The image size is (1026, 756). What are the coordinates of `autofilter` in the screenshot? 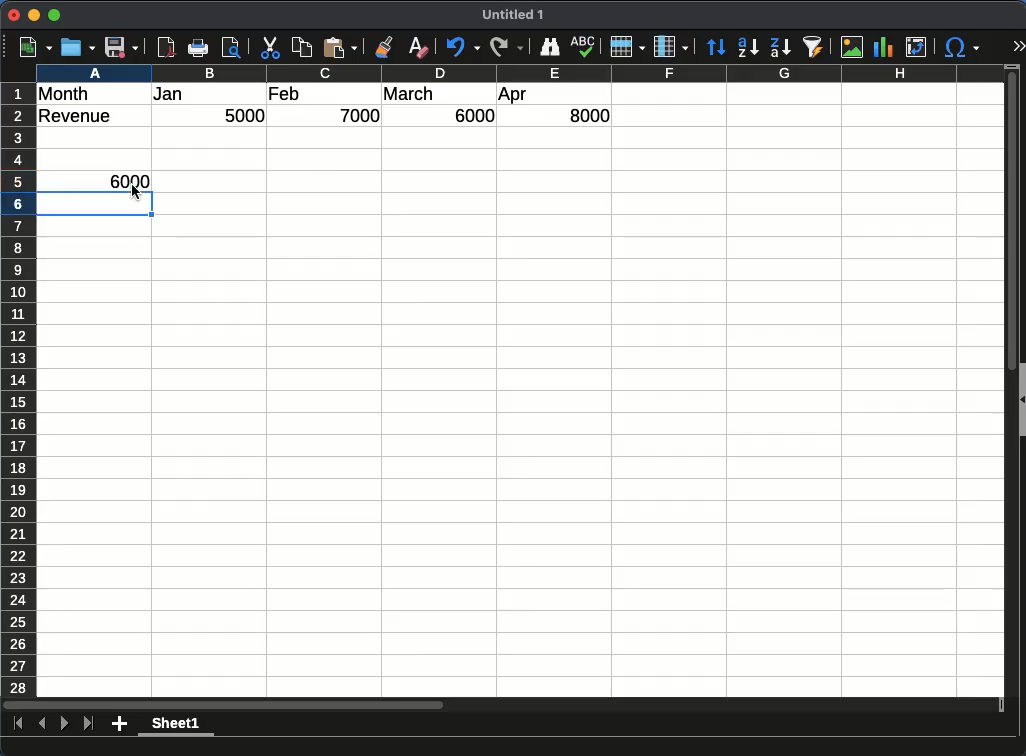 It's located at (814, 47).